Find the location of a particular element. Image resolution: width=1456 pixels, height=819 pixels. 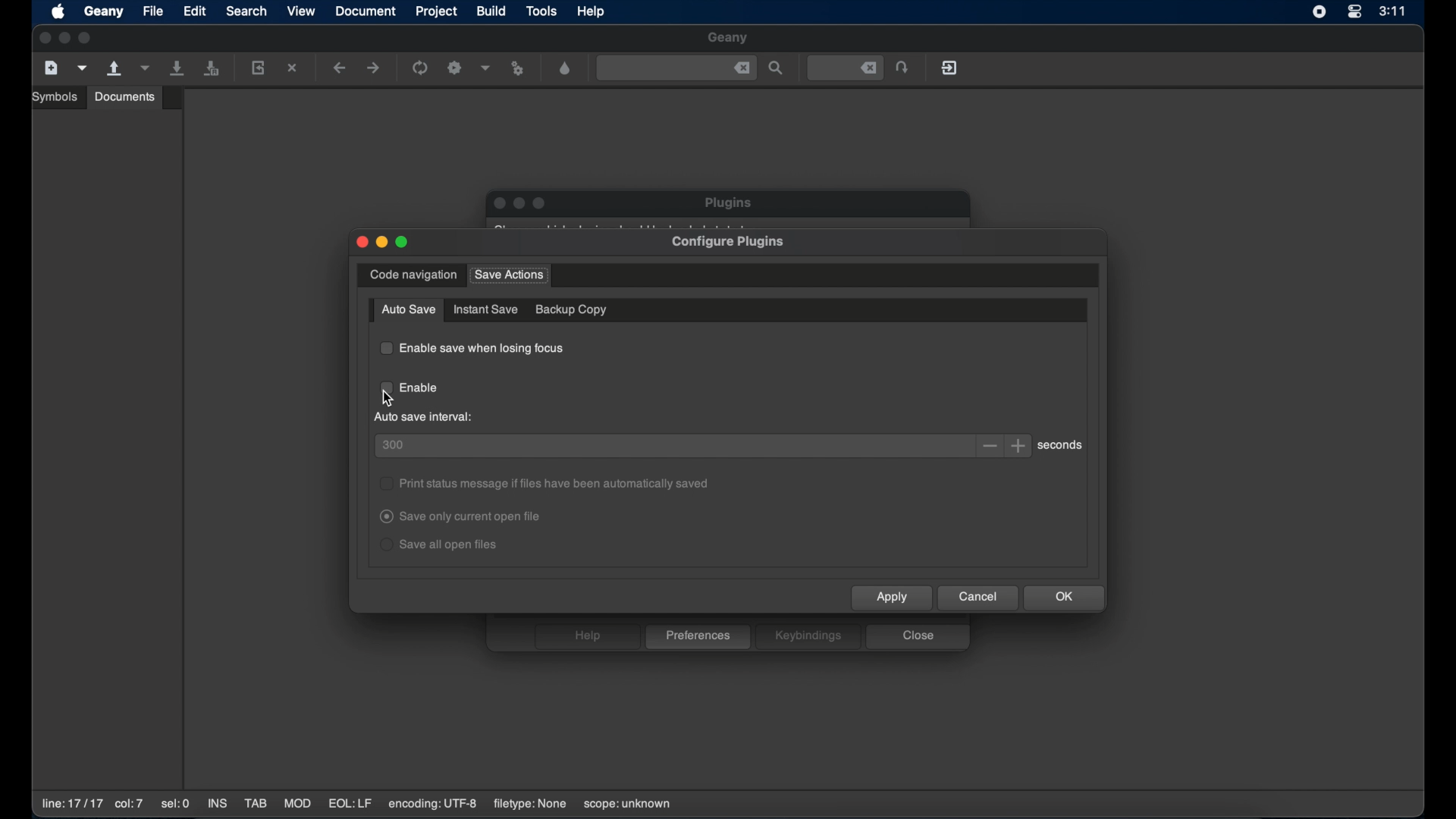

geany is located at coordinates (729, 39).